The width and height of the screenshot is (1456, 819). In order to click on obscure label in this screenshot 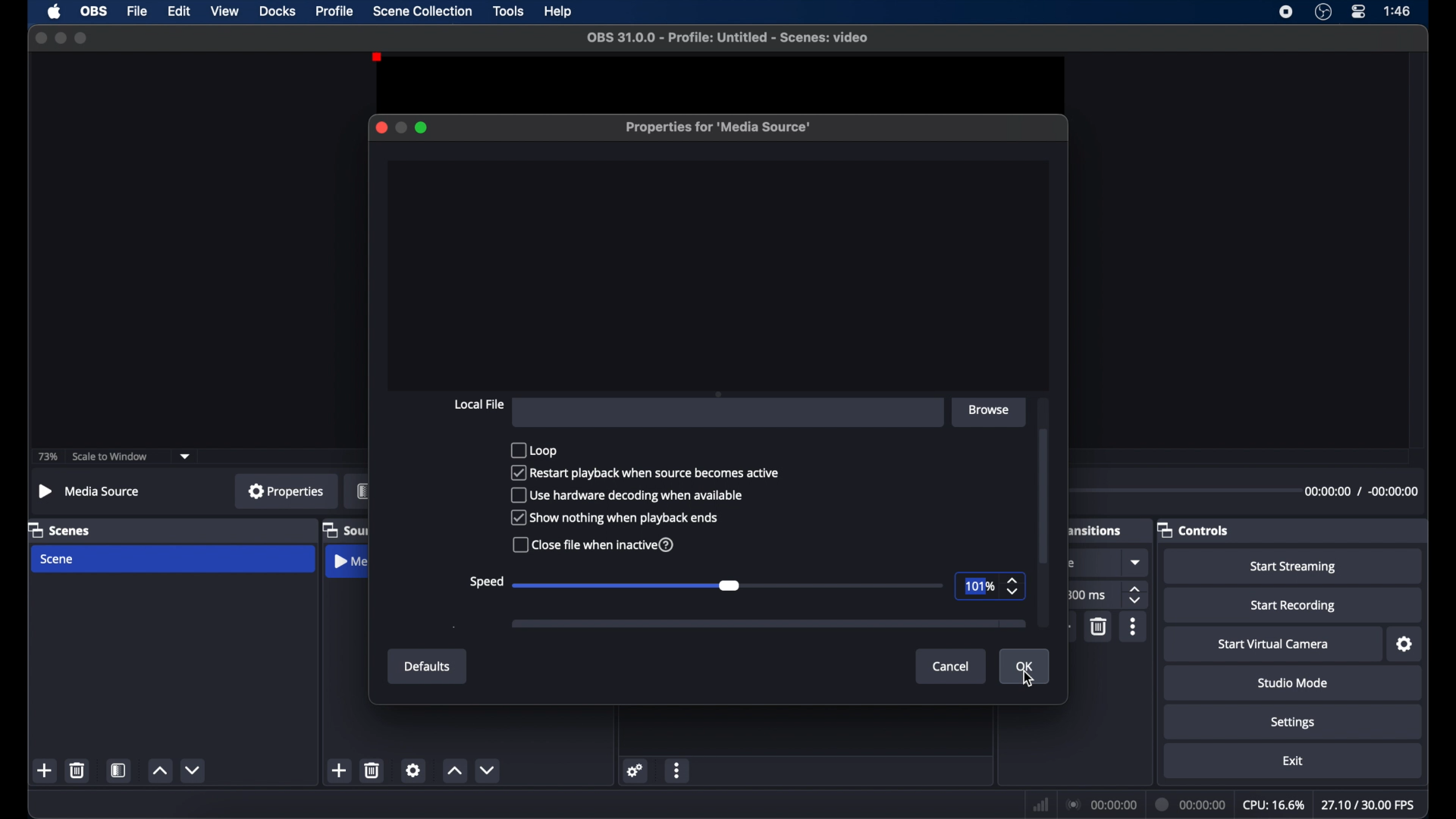, I will do `click(1096, 529)`.